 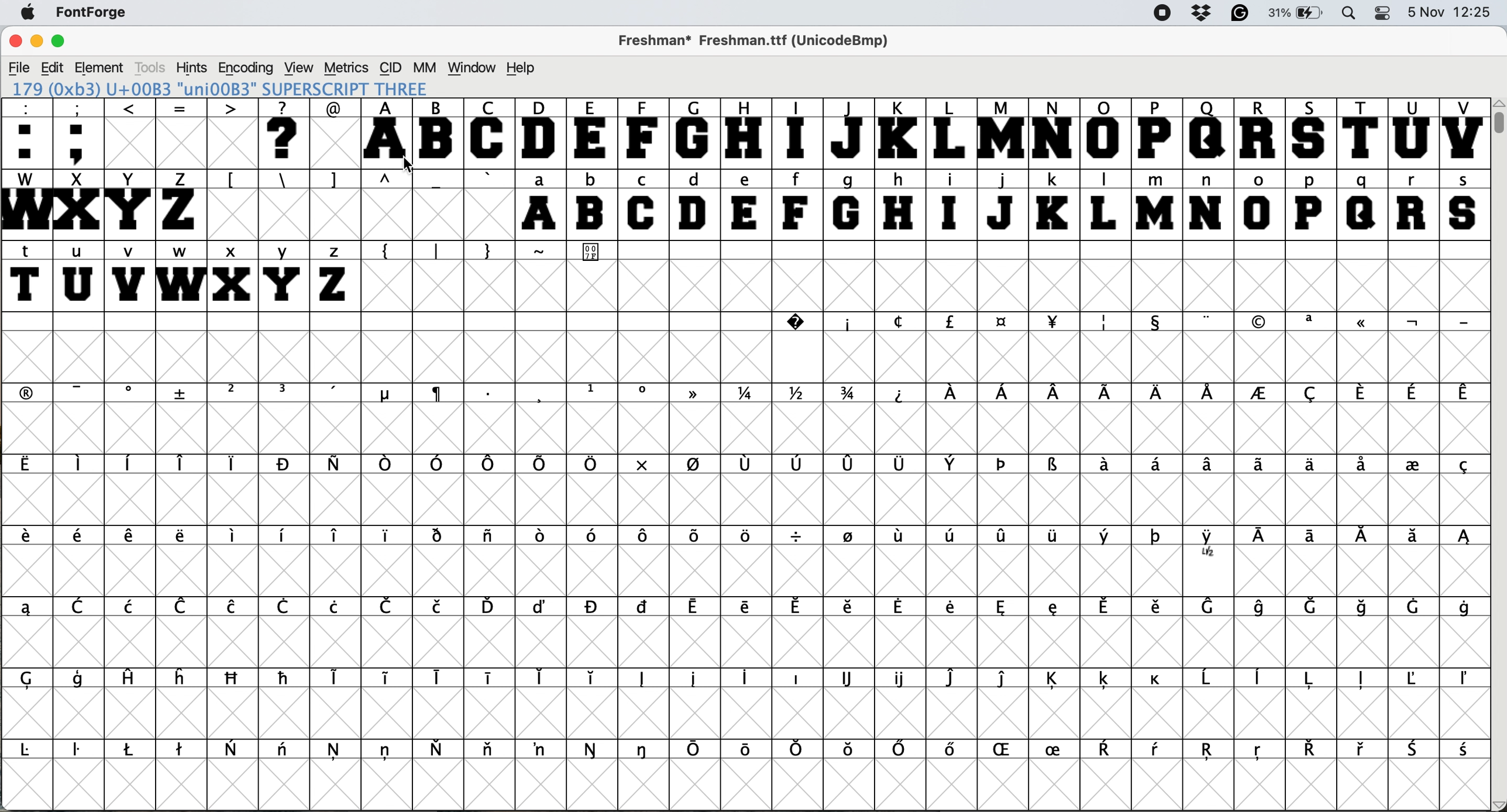 I want to click on symbol, so click(x=1464, y=751).